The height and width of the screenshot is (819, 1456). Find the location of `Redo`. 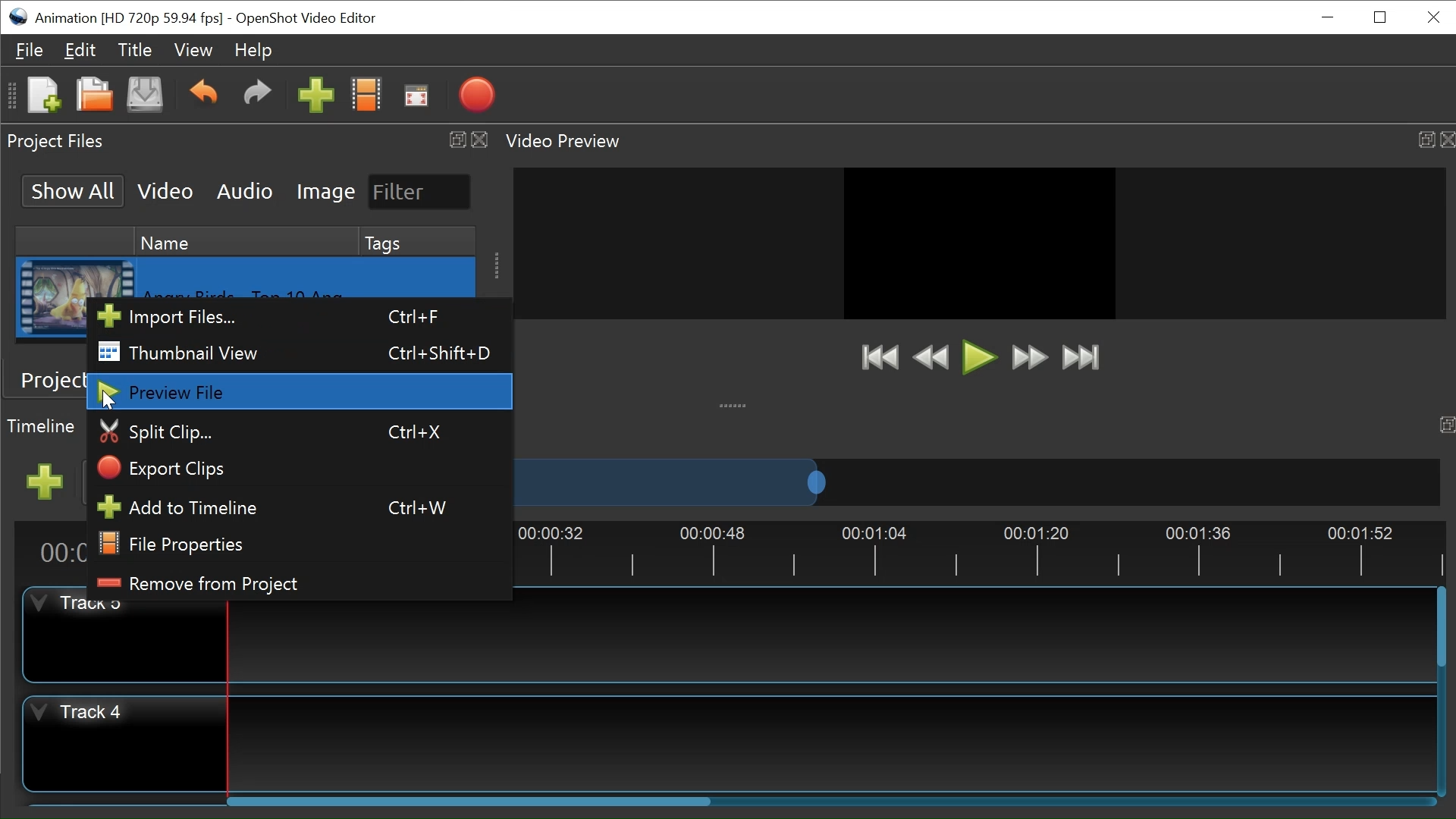

Redo is located at coordinates (253, 93).